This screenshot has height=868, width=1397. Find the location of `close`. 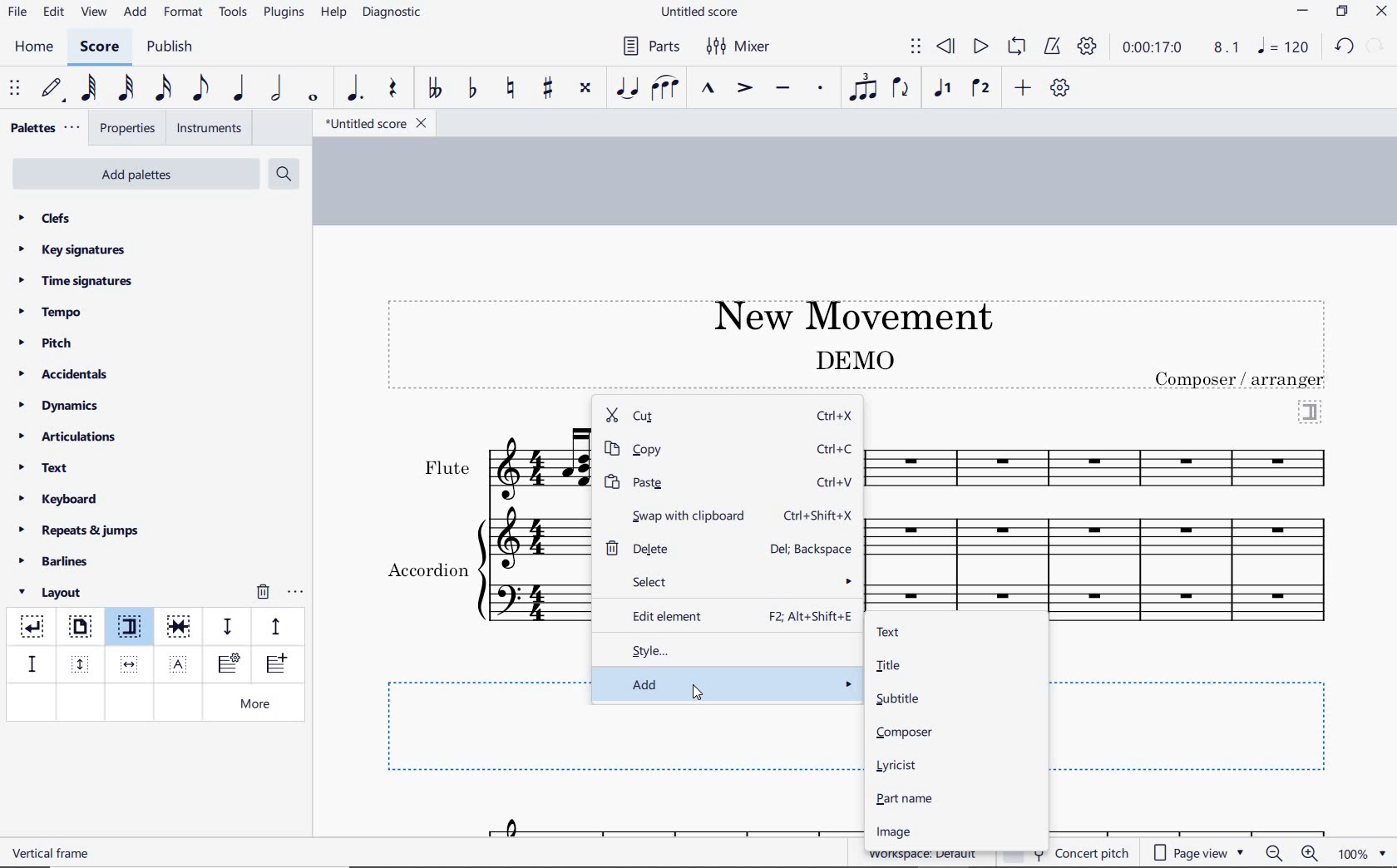

close is located at coordinates (1381, 13).